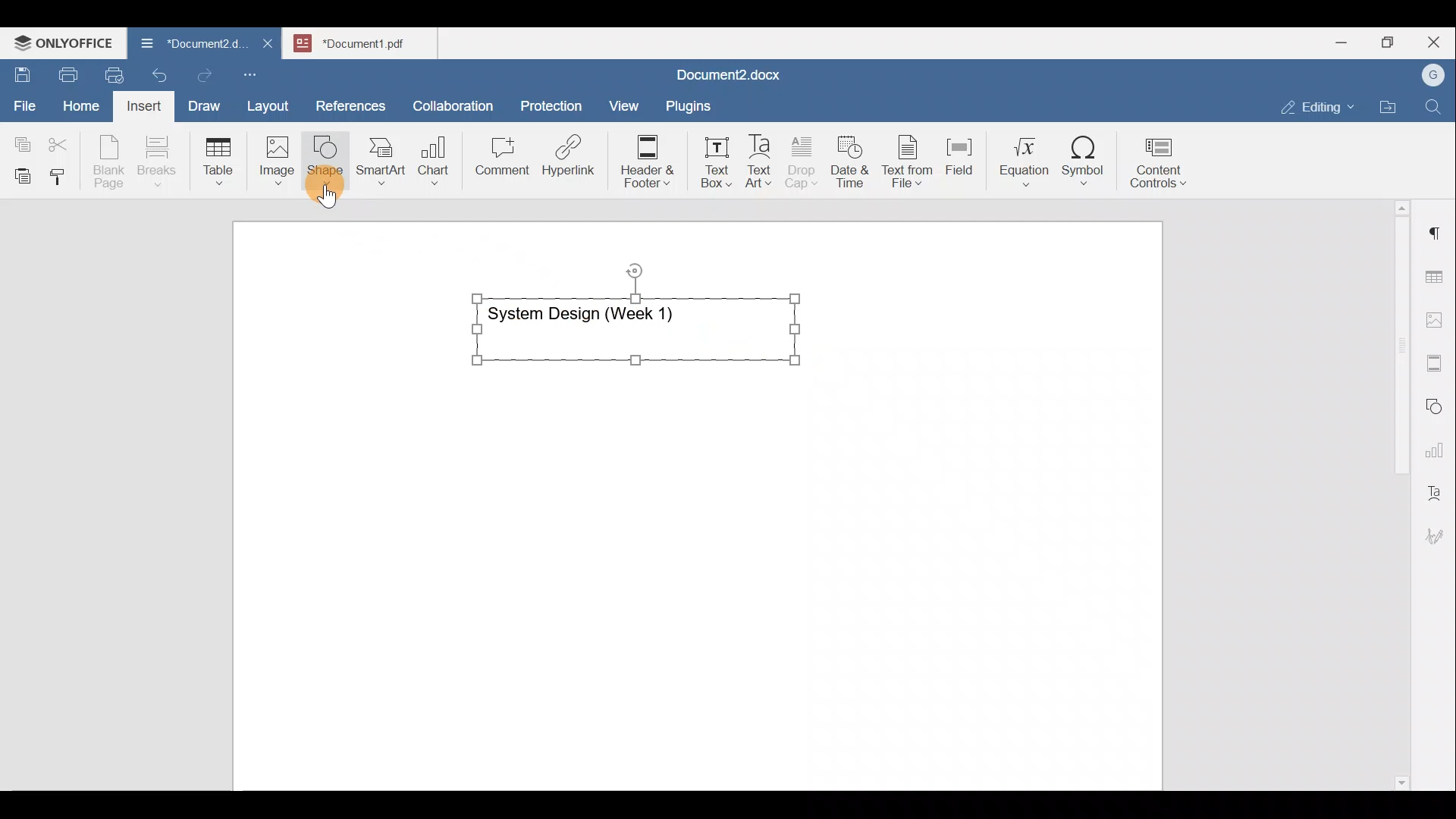 The width and height of the screenshot is (1456, 819). I want to click on Text Art settings, so click(1436, 487).